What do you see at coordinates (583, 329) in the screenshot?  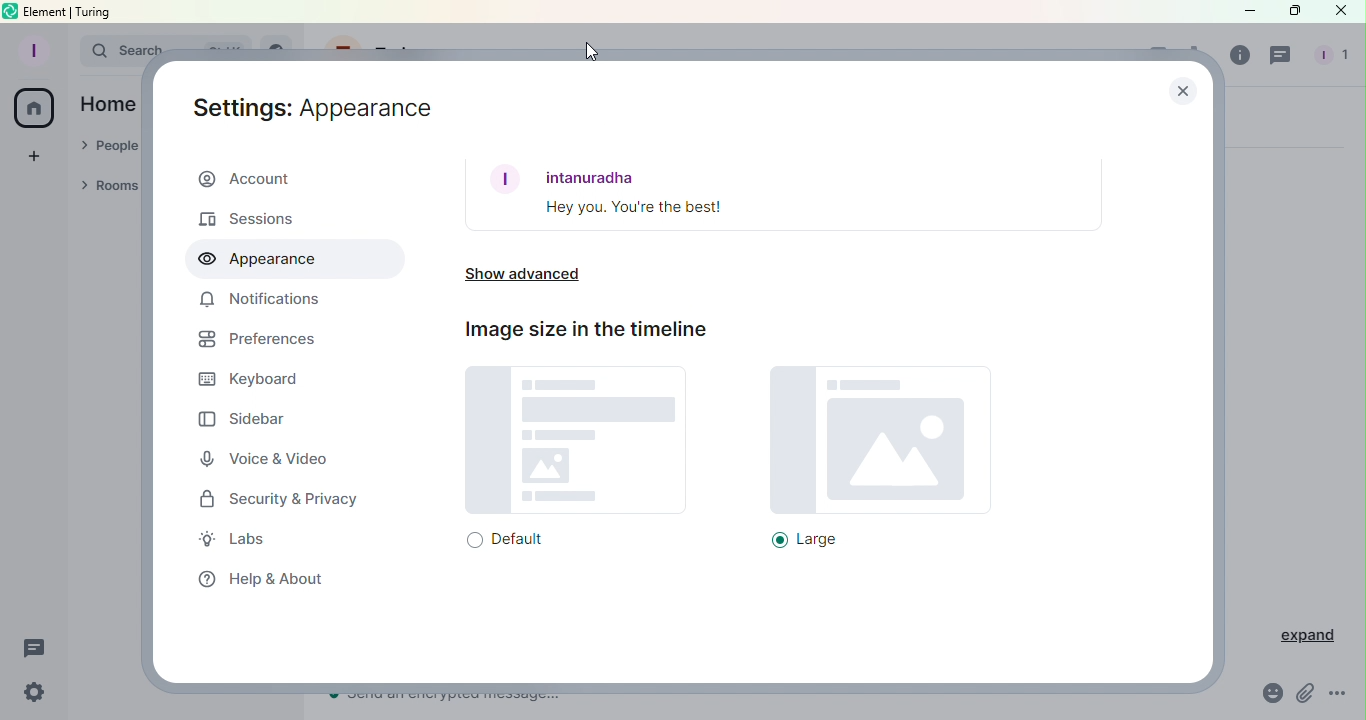 I see `Image size in the timeline` at bounding box center [583, 329].